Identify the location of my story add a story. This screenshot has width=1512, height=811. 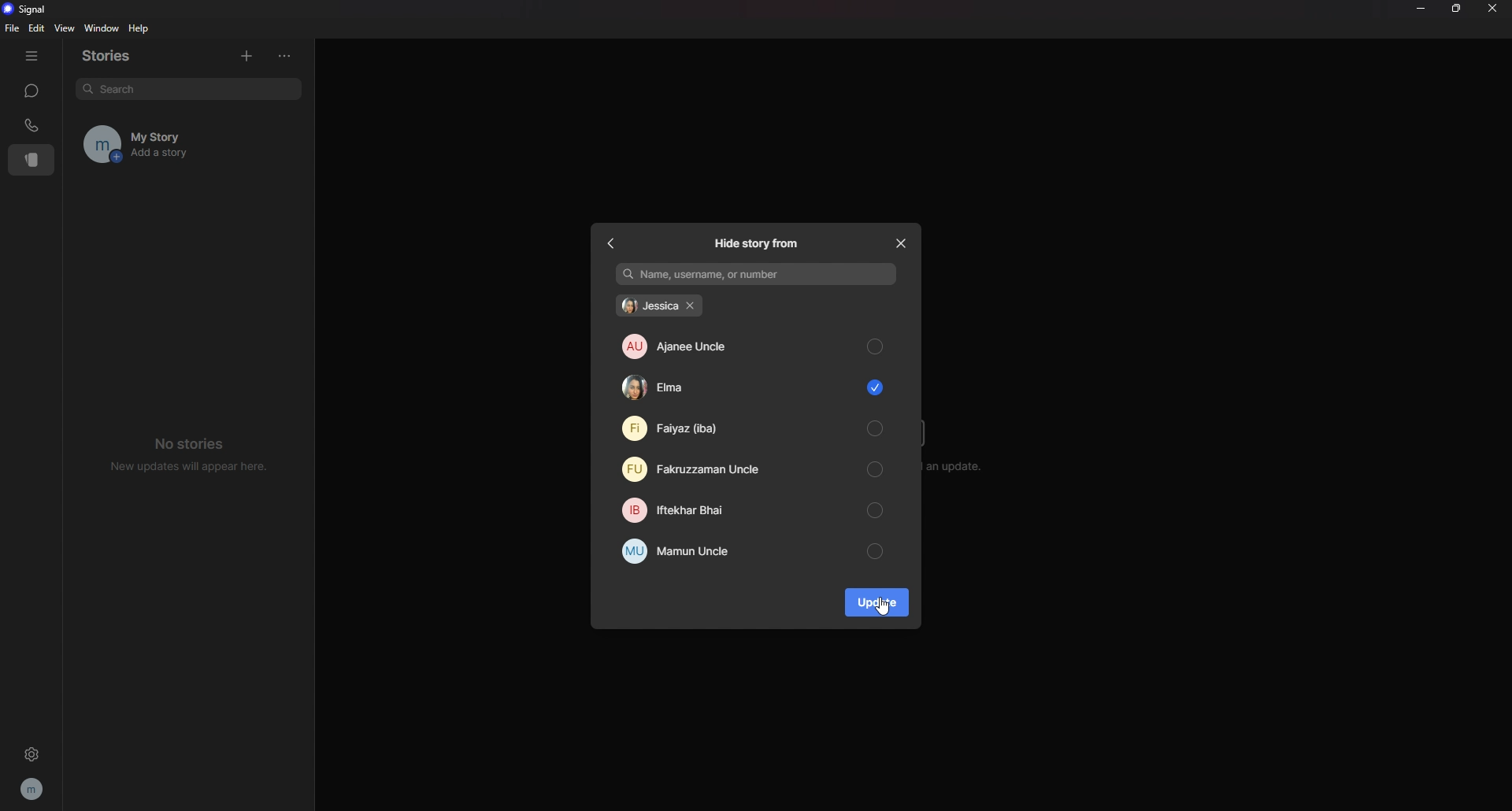
(168, 144).